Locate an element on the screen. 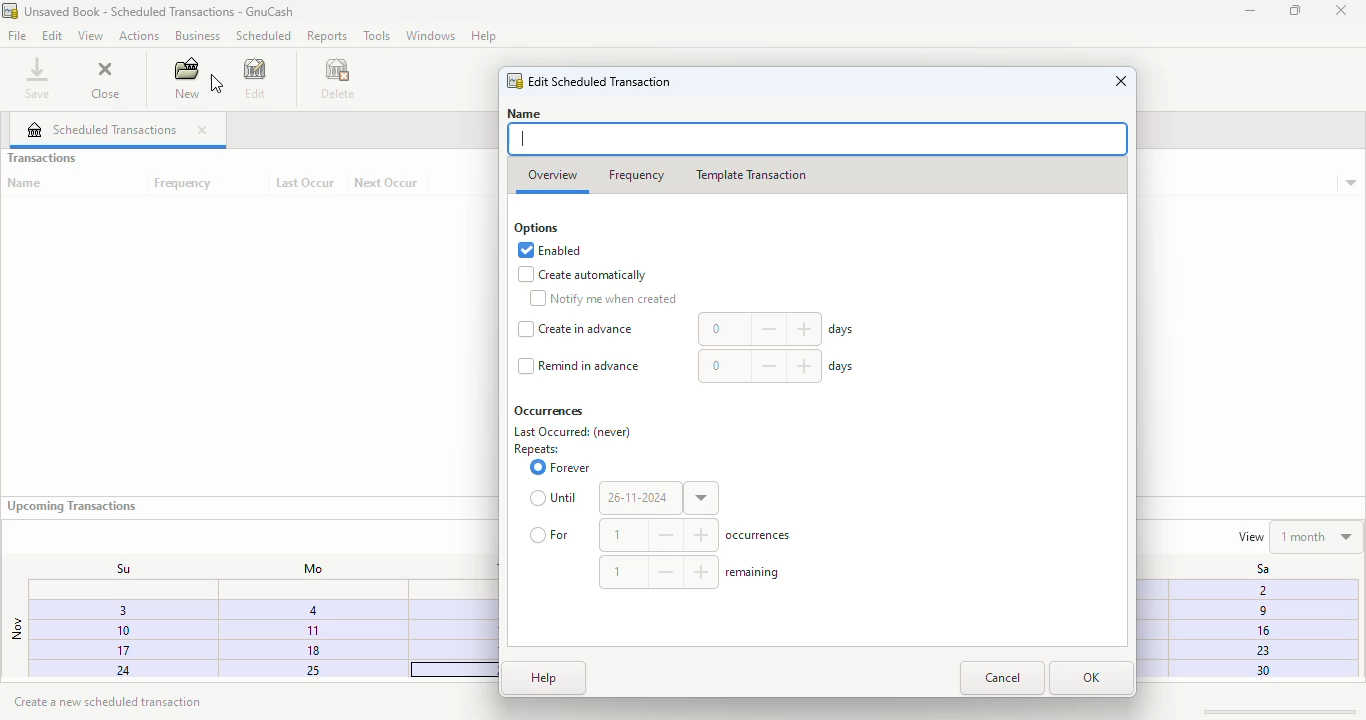 The width and height of the screenshot is (1366, 720). delete is located at coordinates (339, 78).